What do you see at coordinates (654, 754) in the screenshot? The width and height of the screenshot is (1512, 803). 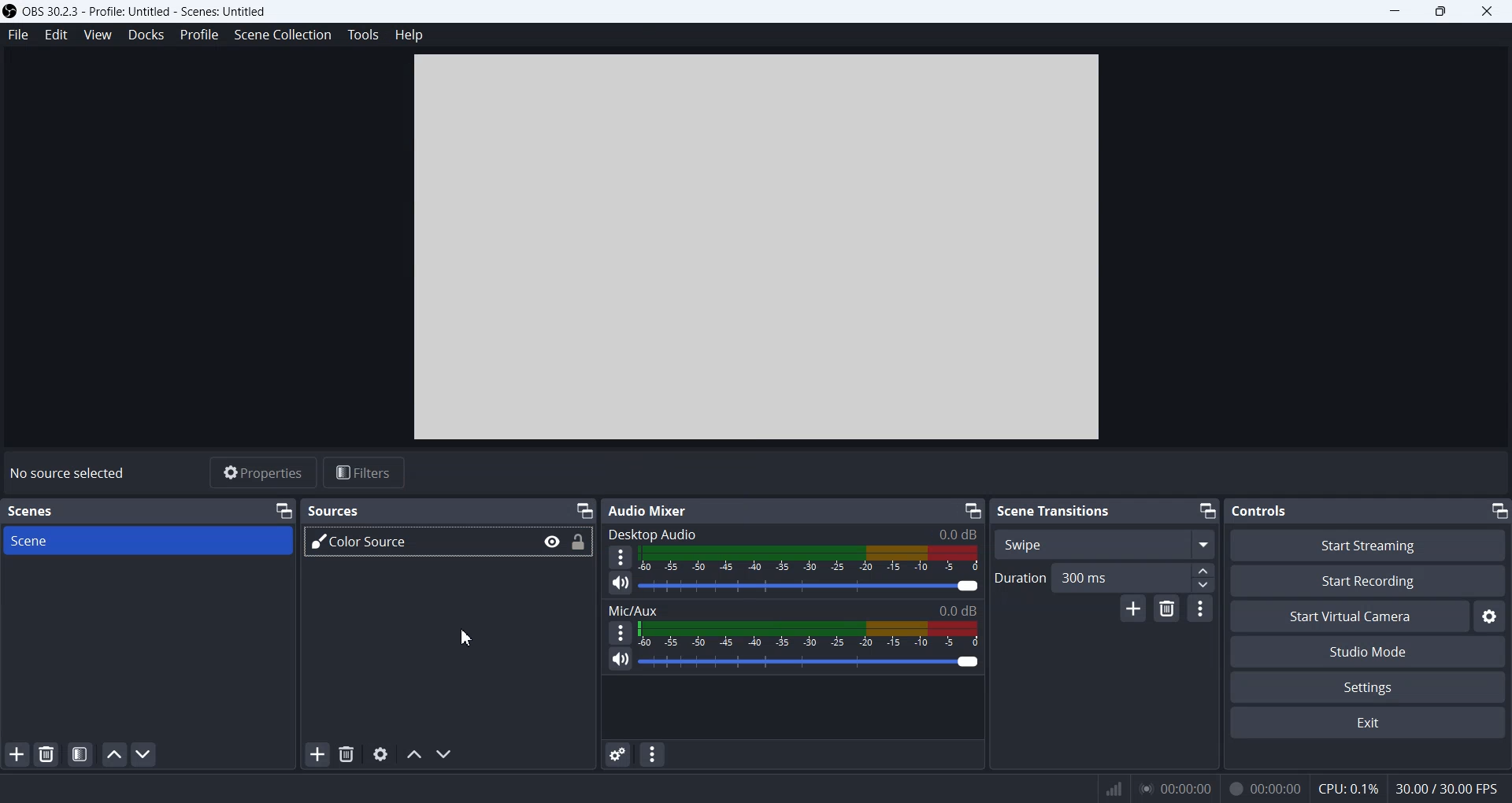 I see `Audio mixer menu` at bounding box center [654, 754].